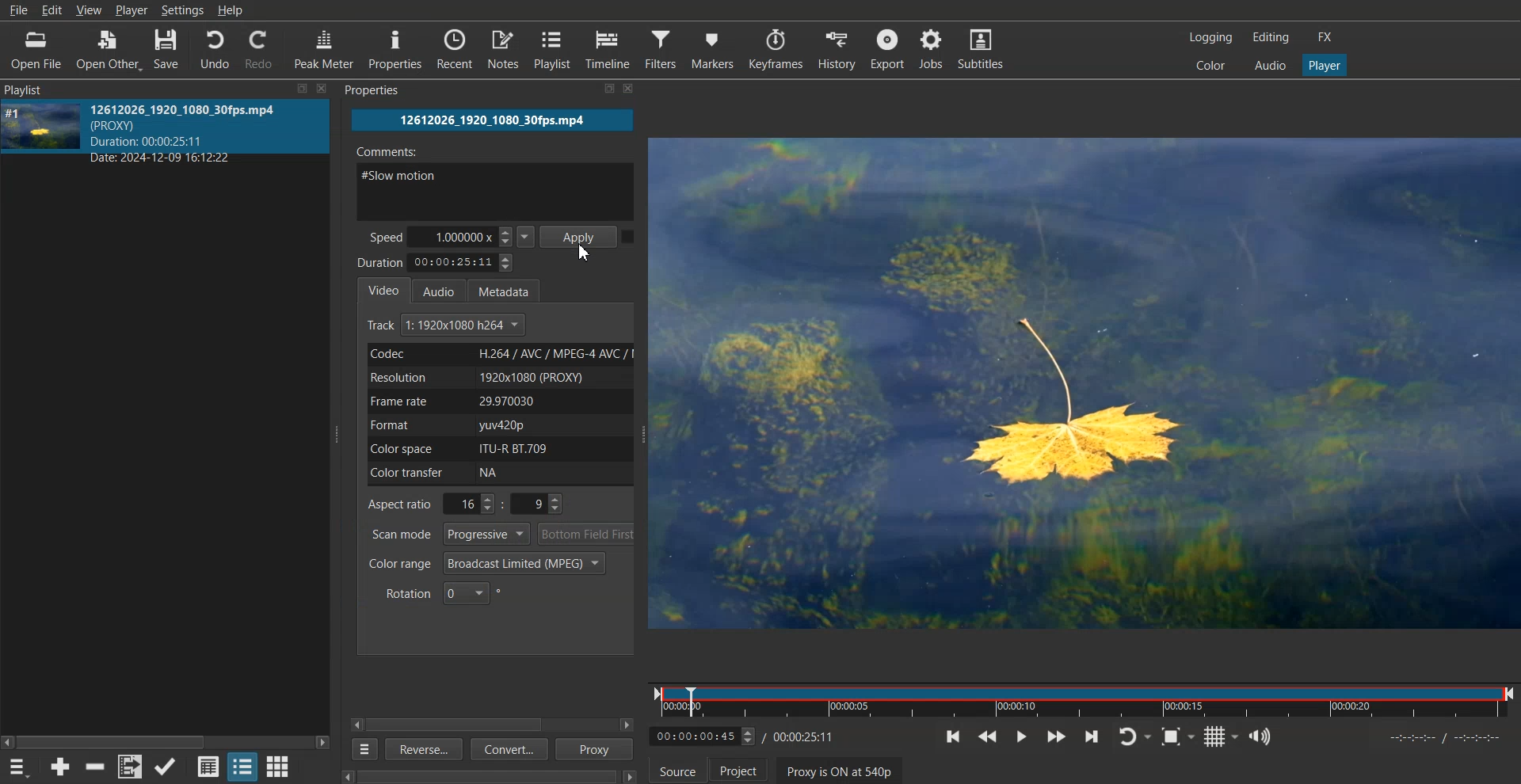 This screenshot has height=784, width=1521. What do you see at coordinates (322, 87) in the screenshot?
I see `close` at bounding box center [322, 87].